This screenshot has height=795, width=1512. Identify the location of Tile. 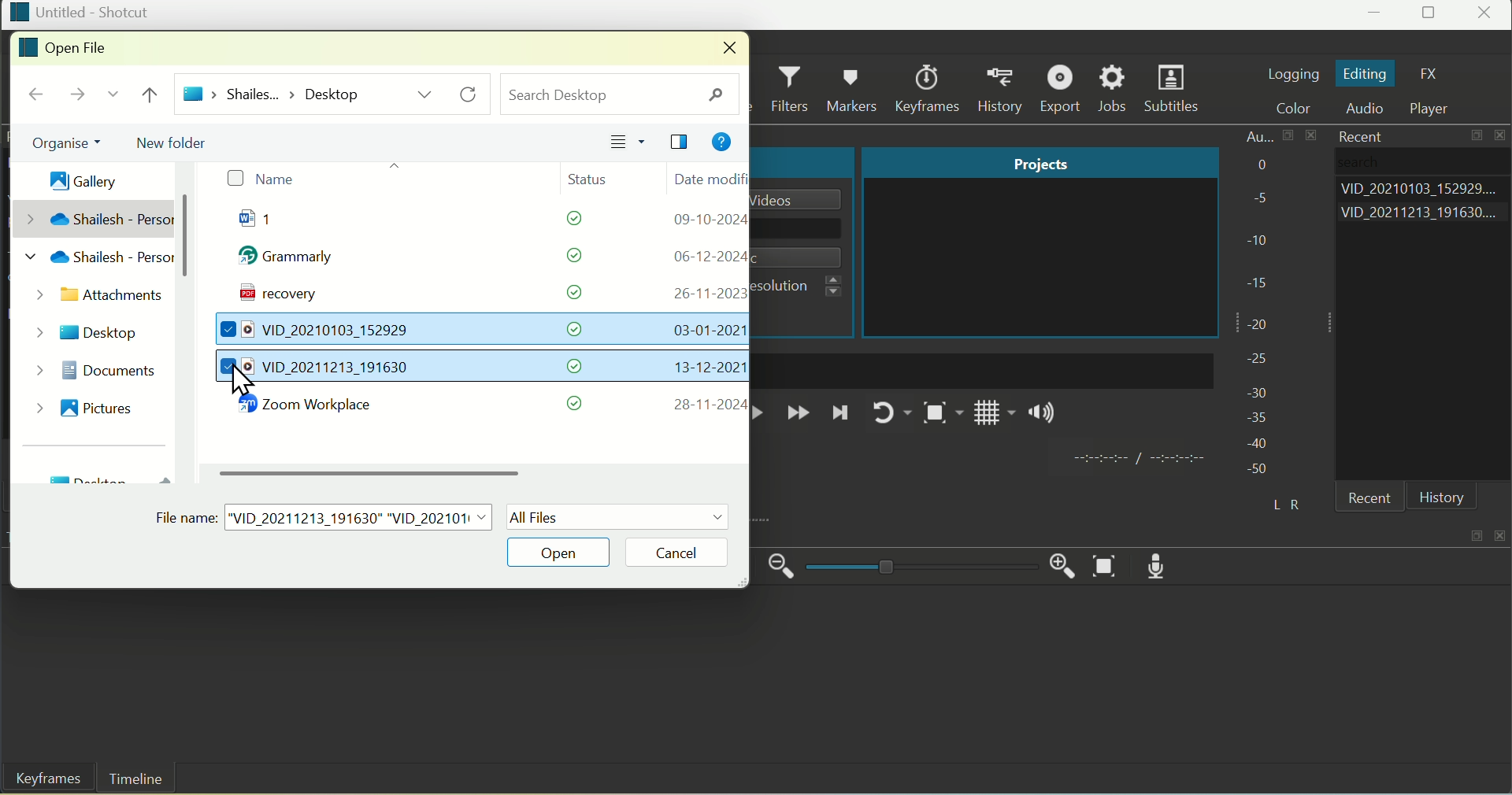
(682, 143).